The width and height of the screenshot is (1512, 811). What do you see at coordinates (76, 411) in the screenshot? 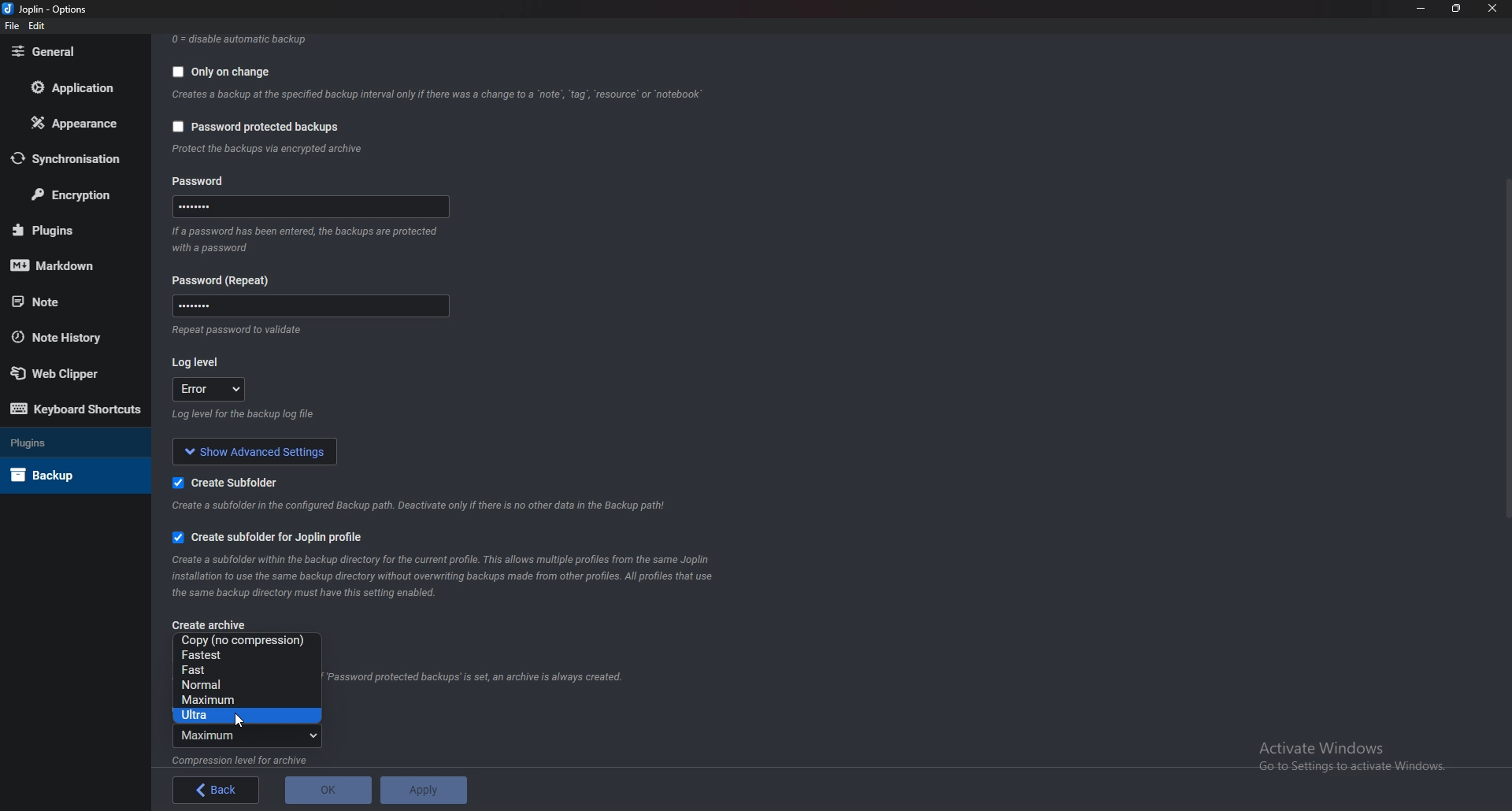
I see `Keyboard shortcuts` at bounding box center [76, 411].